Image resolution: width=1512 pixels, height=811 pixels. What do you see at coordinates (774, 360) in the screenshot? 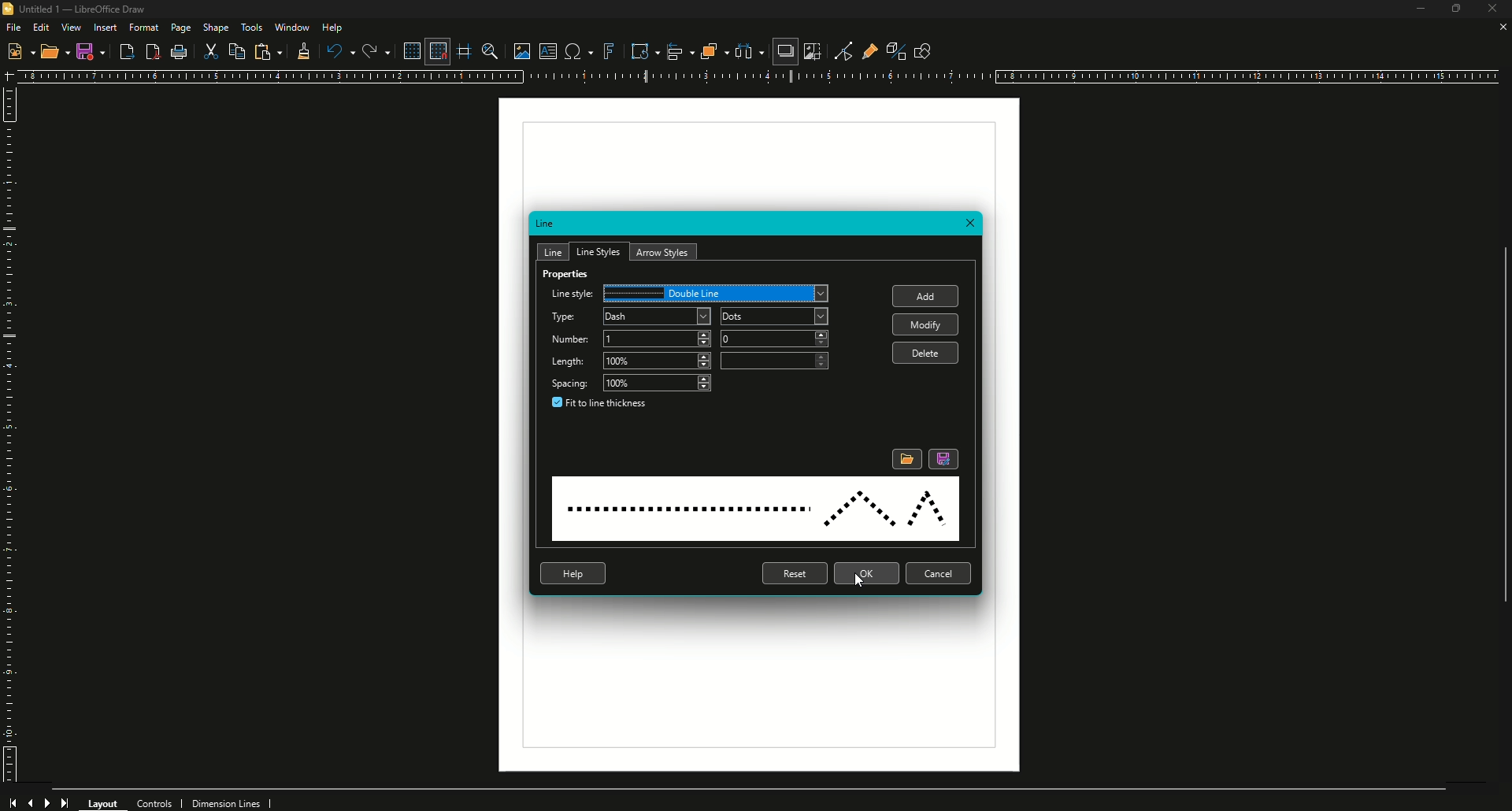
I see `100%` at bounding box center [774, 360].